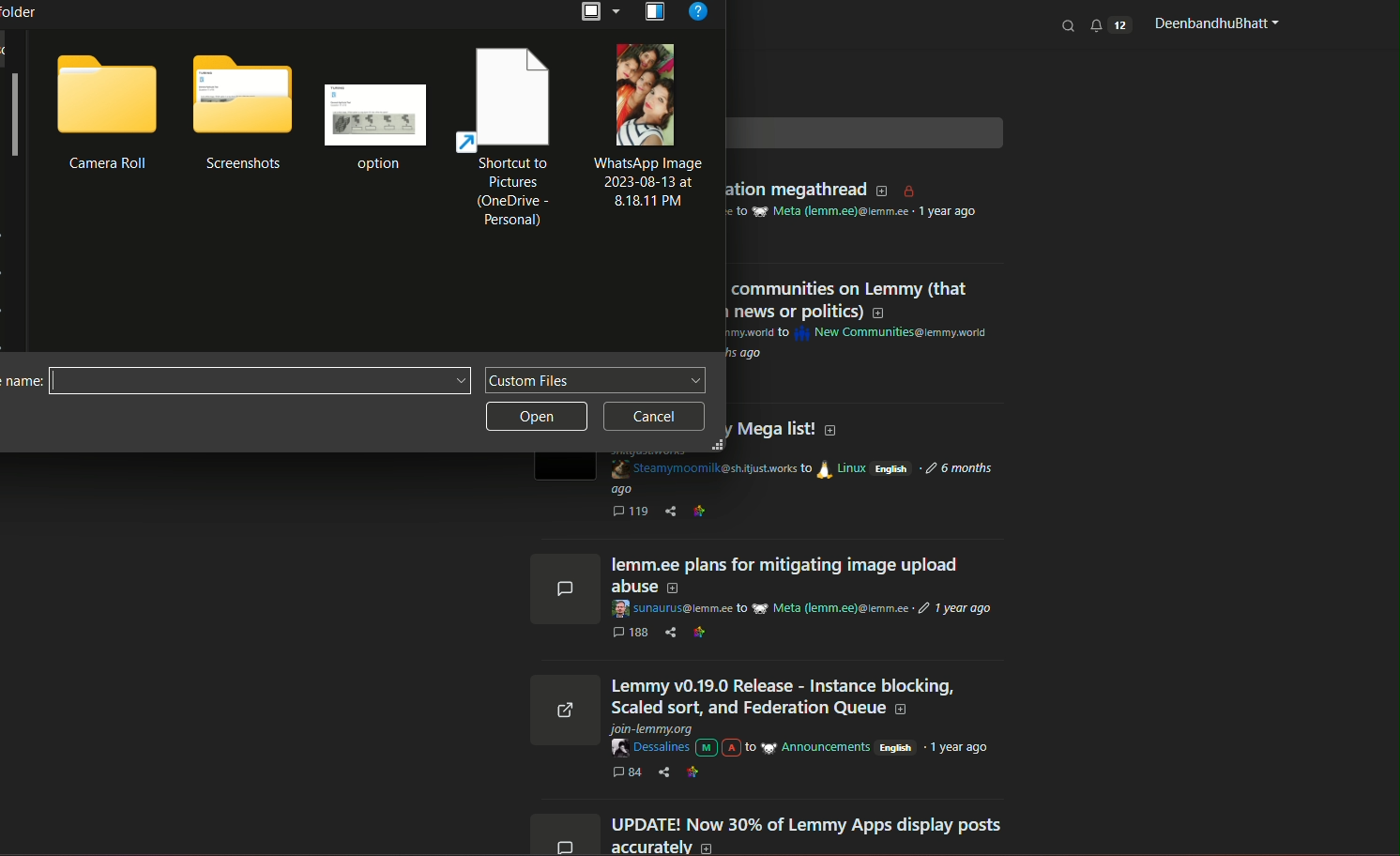 The width and height of the screenshot is (1400, 856). Describe the element at coordinates (258, 380) in the screenshot. I see `text box` at that location.